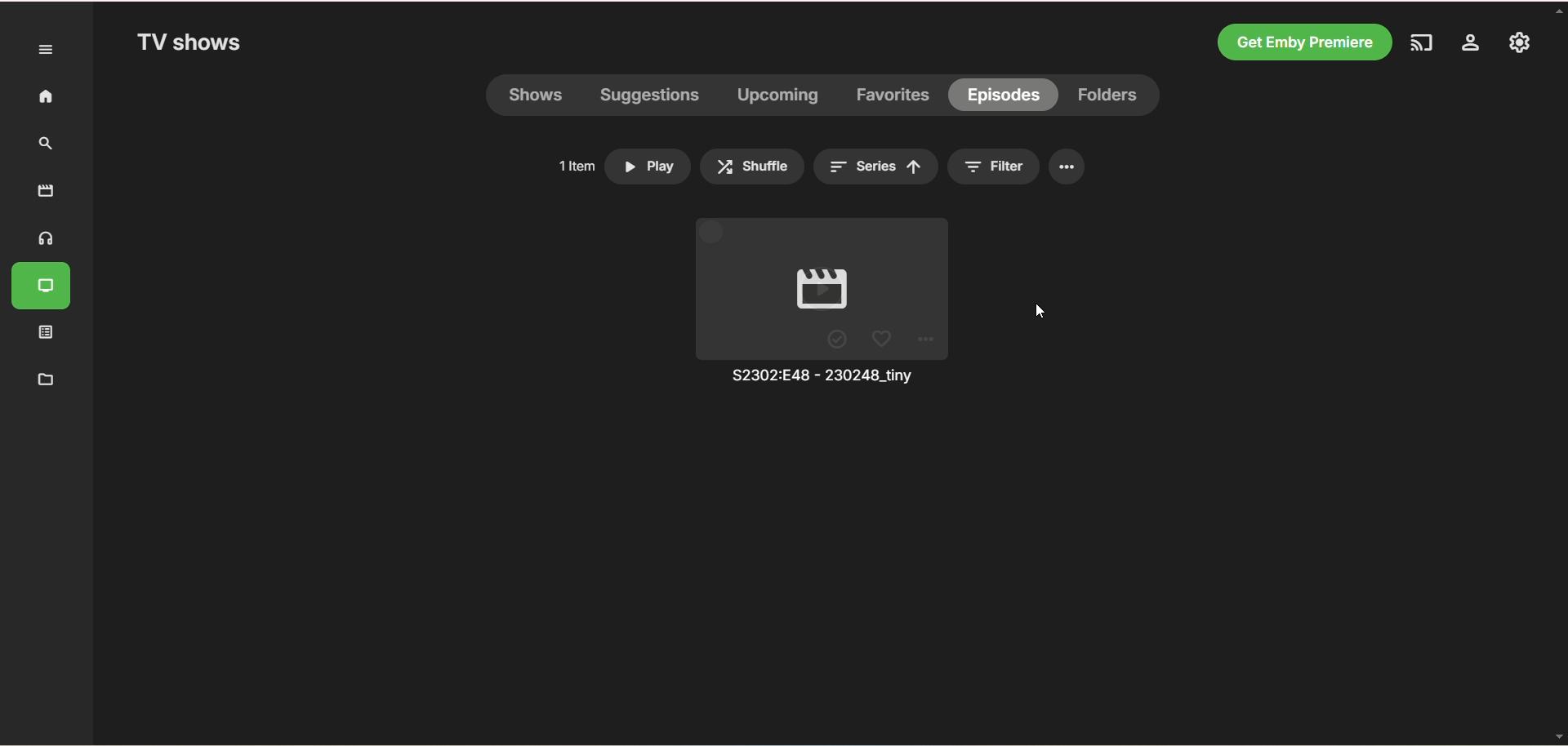  What do you see at coordinates (653, 96) in the screenshot?
I see `suggestions` at bounding box center [653, 96].